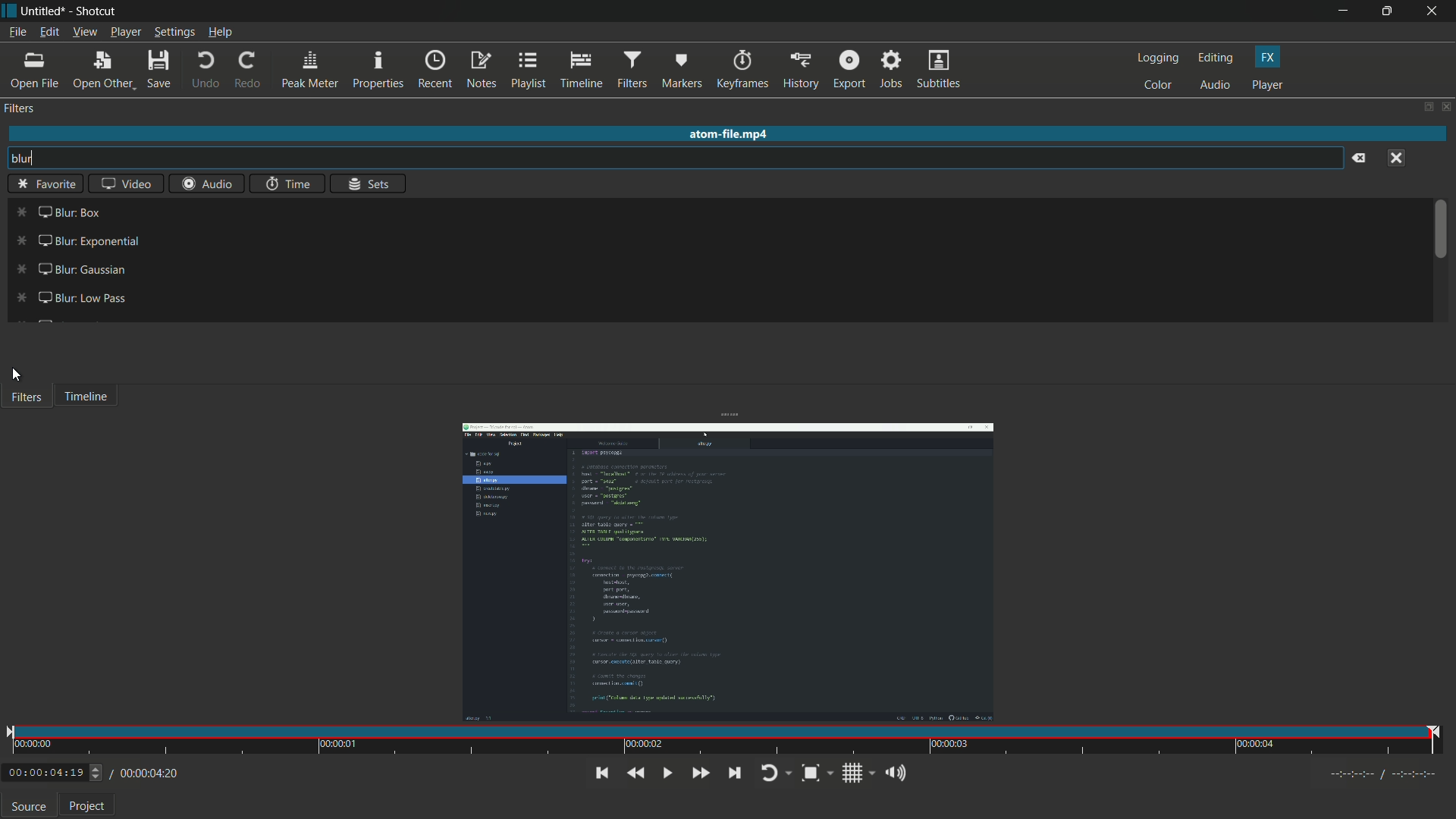  What do you see at coordinates (127, 33) in the screenshot?
I see `player menu` at bounding box center [127, 33].